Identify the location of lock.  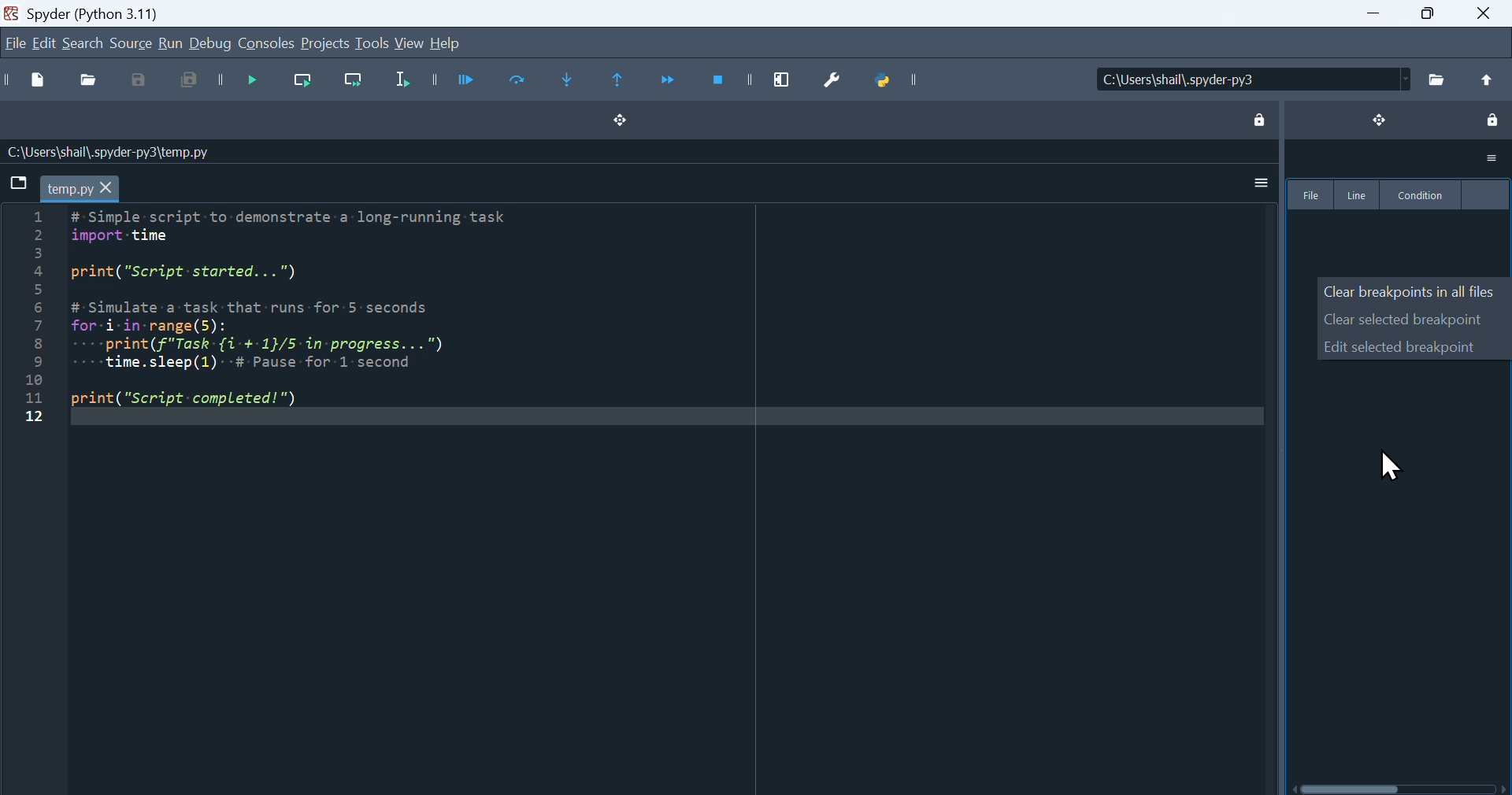
(1491, 120).